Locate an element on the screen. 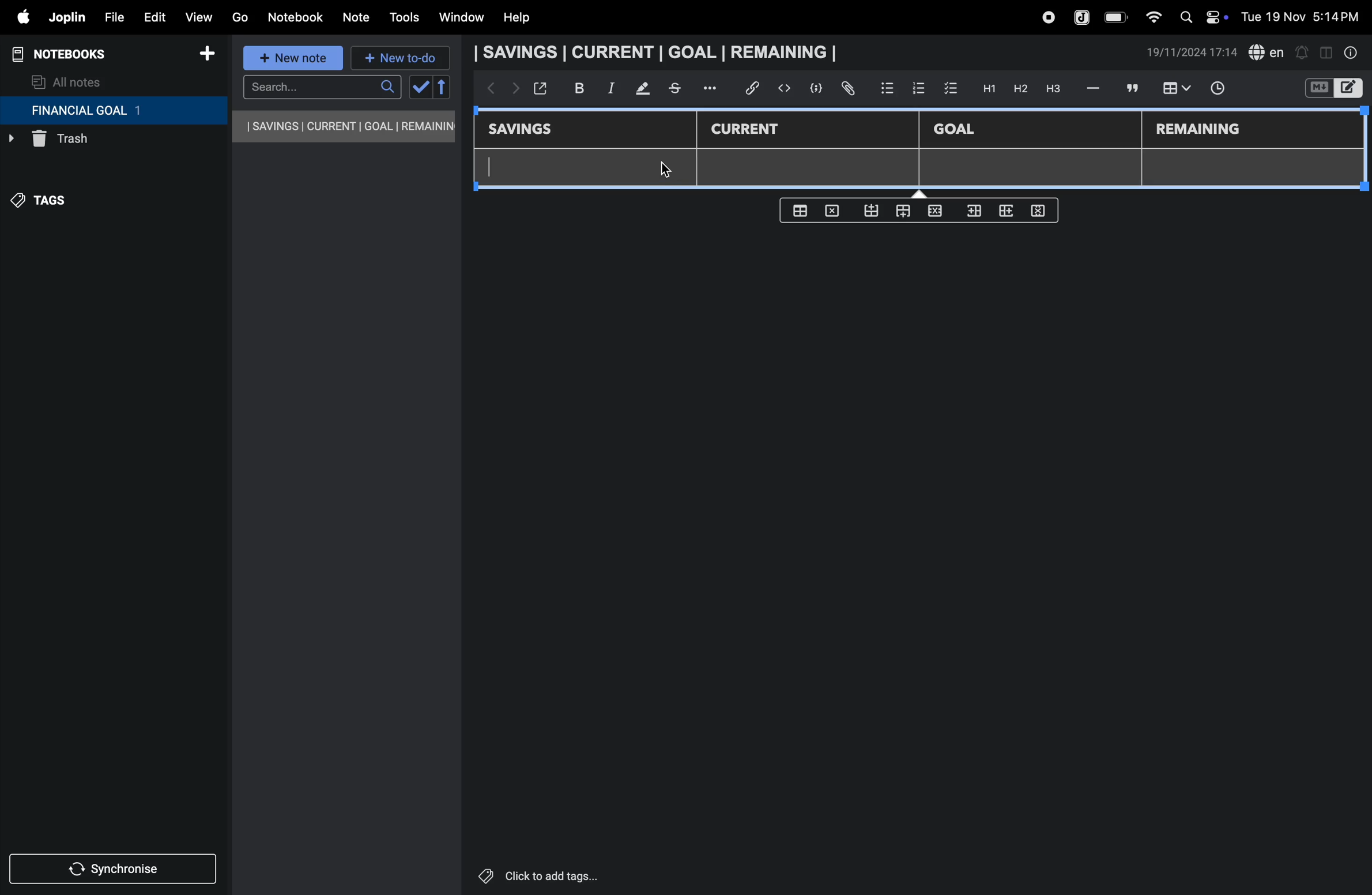  new note is located at coordinates (295, 59).